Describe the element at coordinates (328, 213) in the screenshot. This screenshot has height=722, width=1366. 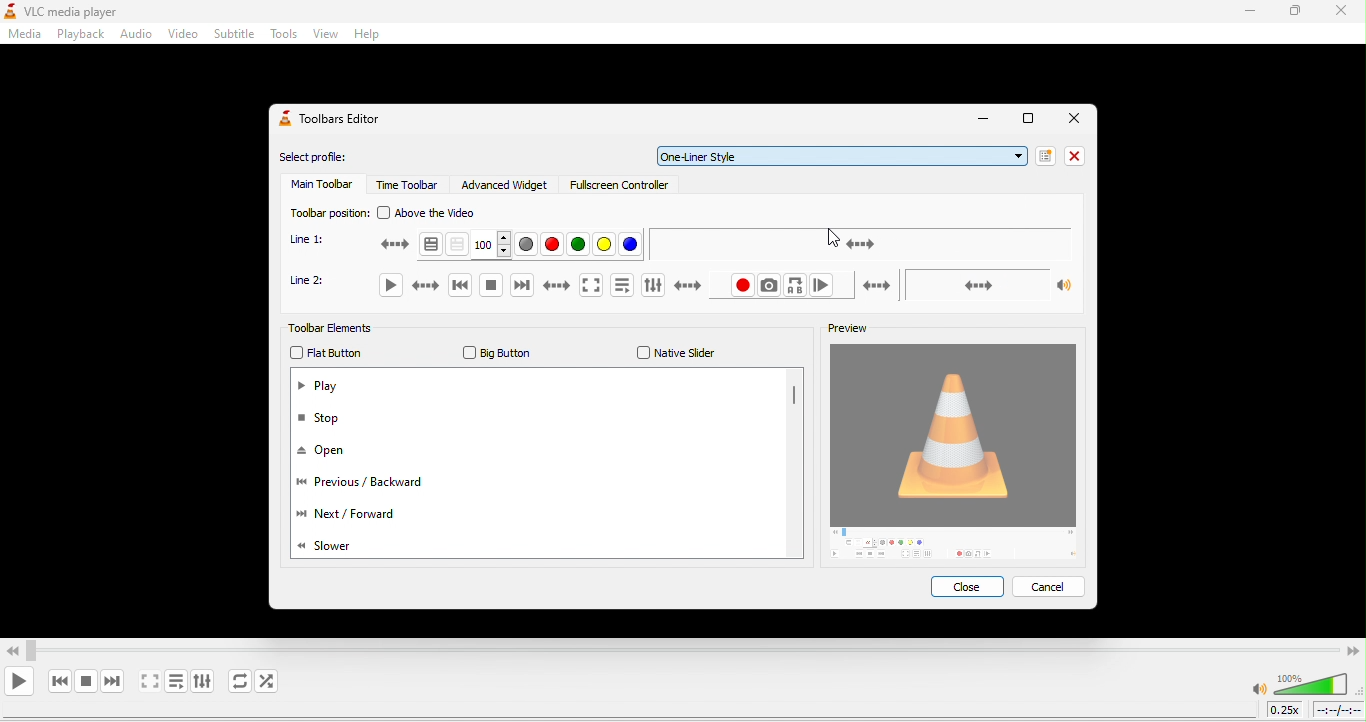
I see `toolbar position` at that location.